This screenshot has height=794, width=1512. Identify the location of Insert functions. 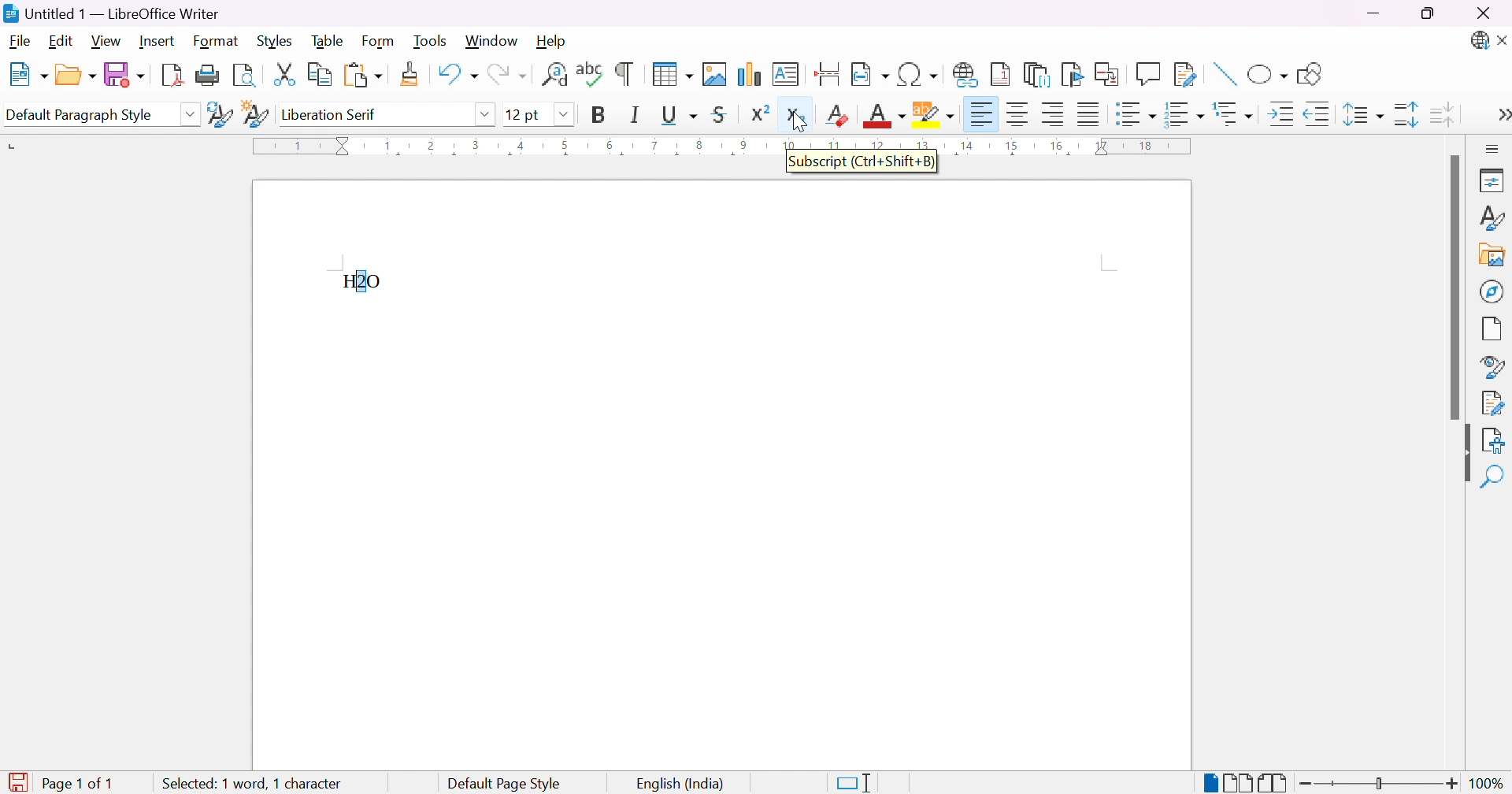
(1147, 74).